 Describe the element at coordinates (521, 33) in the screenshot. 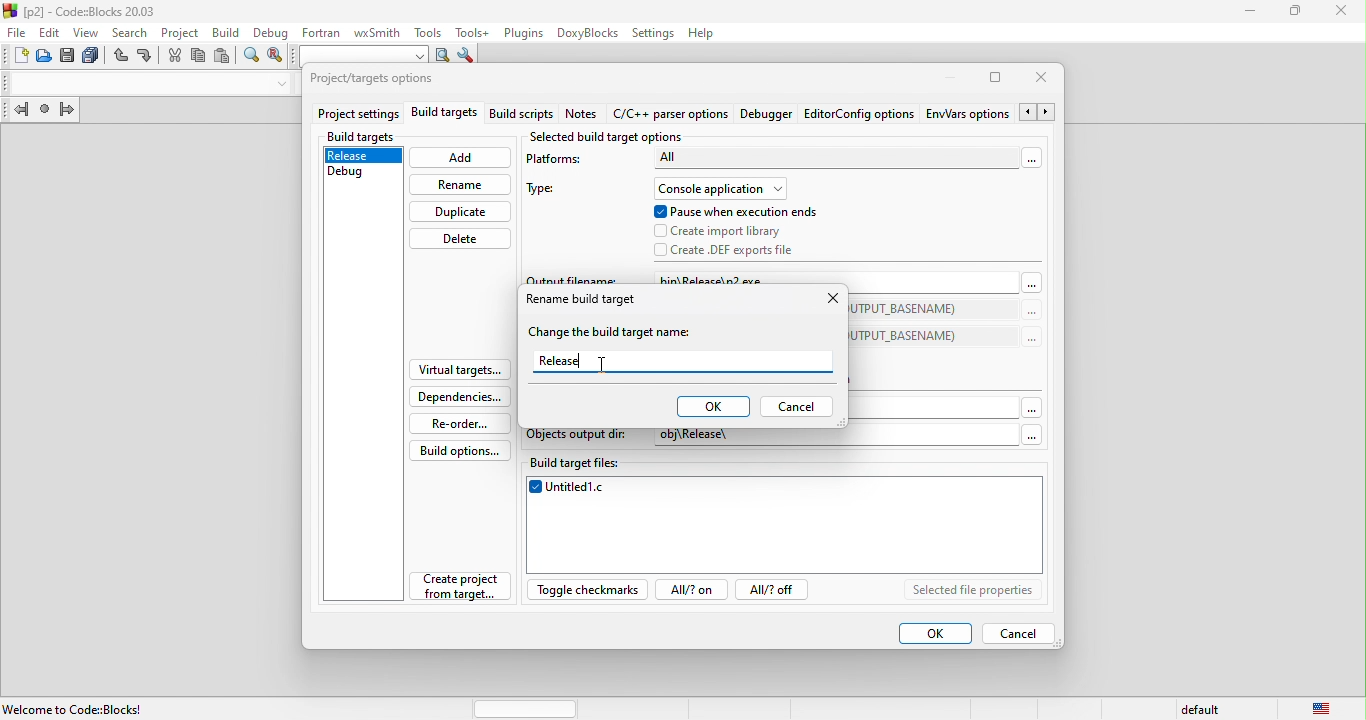

I see `plugins` at that location.